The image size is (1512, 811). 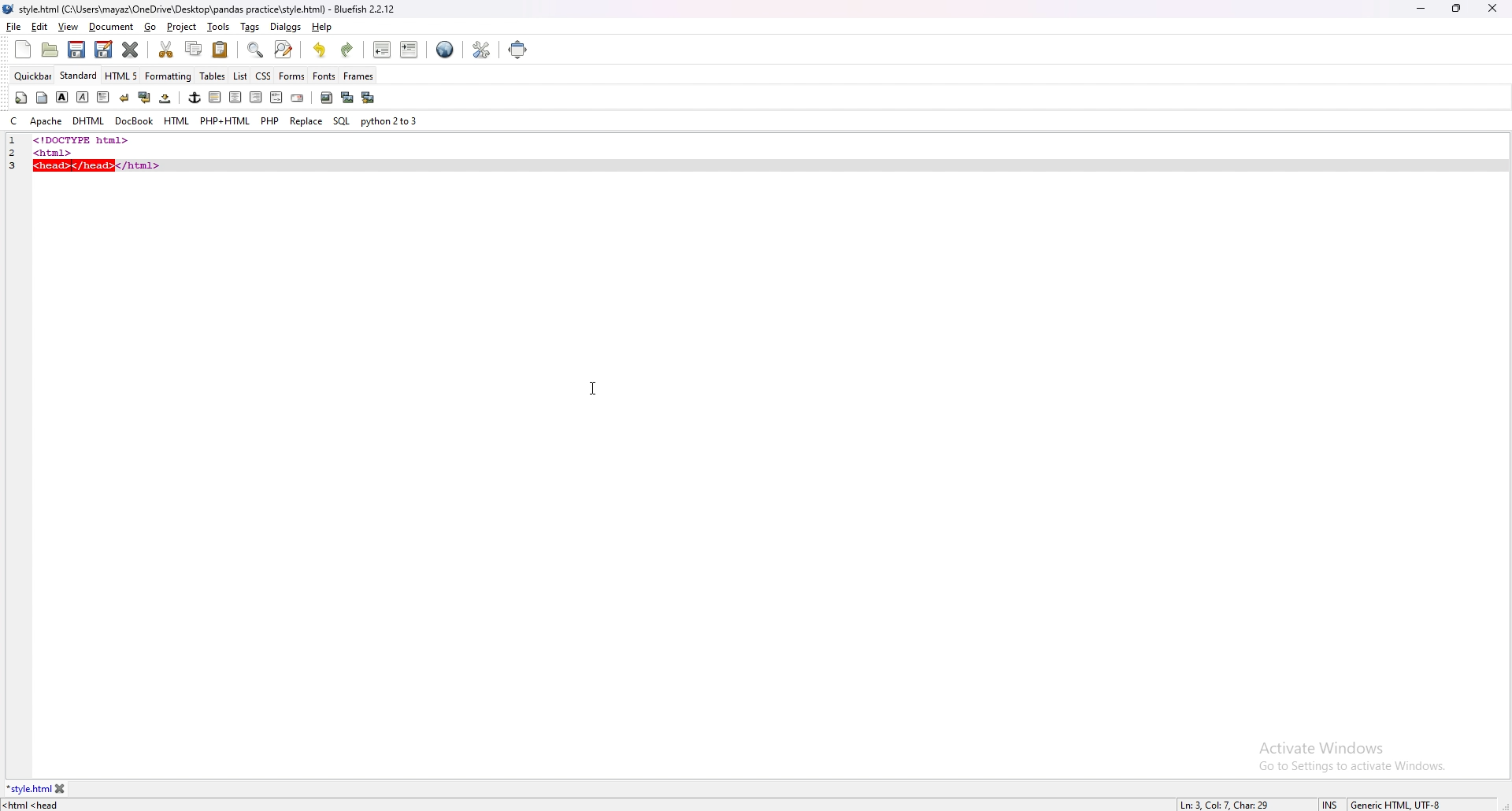 What do you see at coordinates (46, 121) in the screenshot?
I see `apache` at bounding box center [46, 121].